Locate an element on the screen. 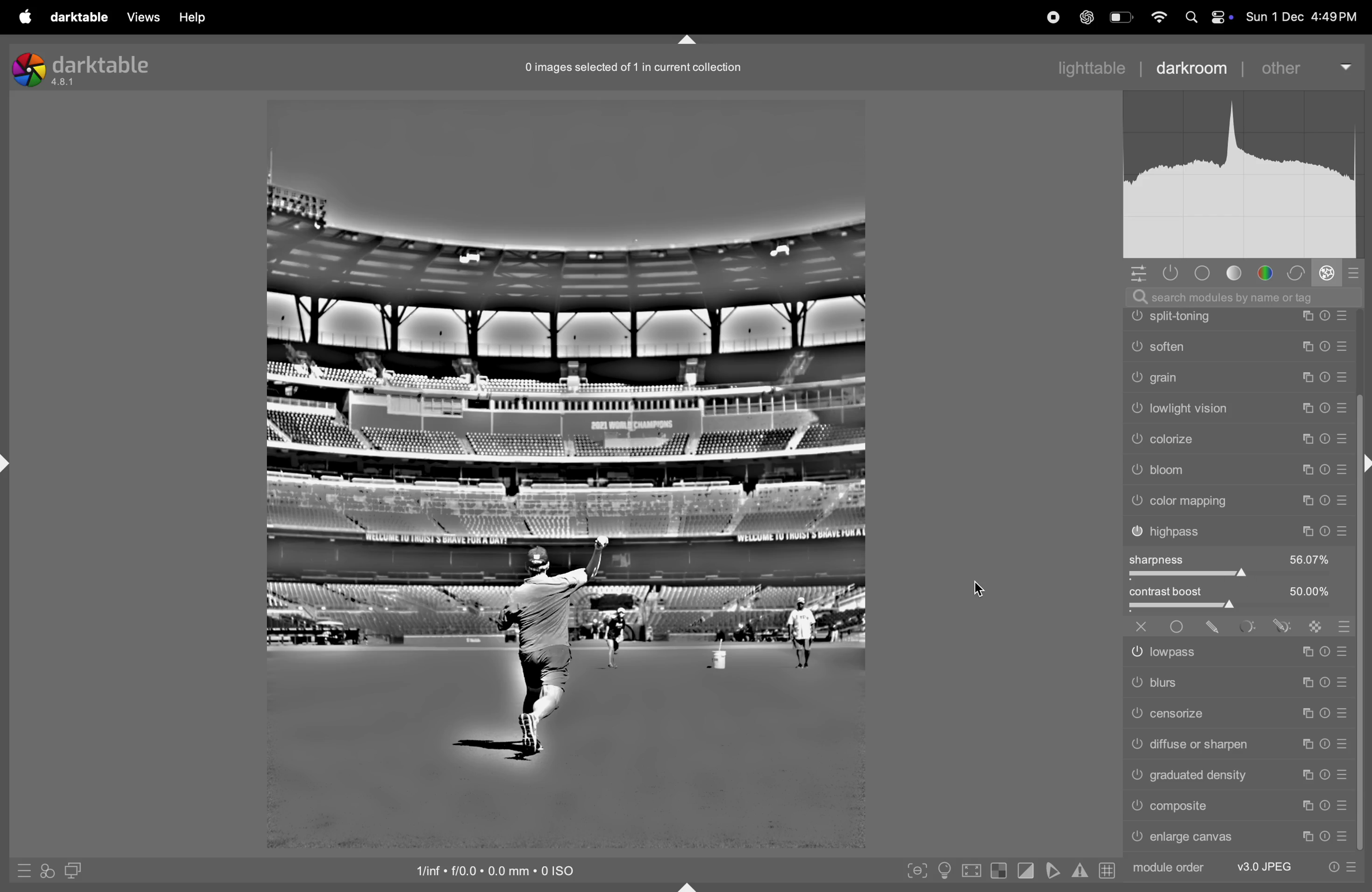  0 record is located at coordinates (636, 66).